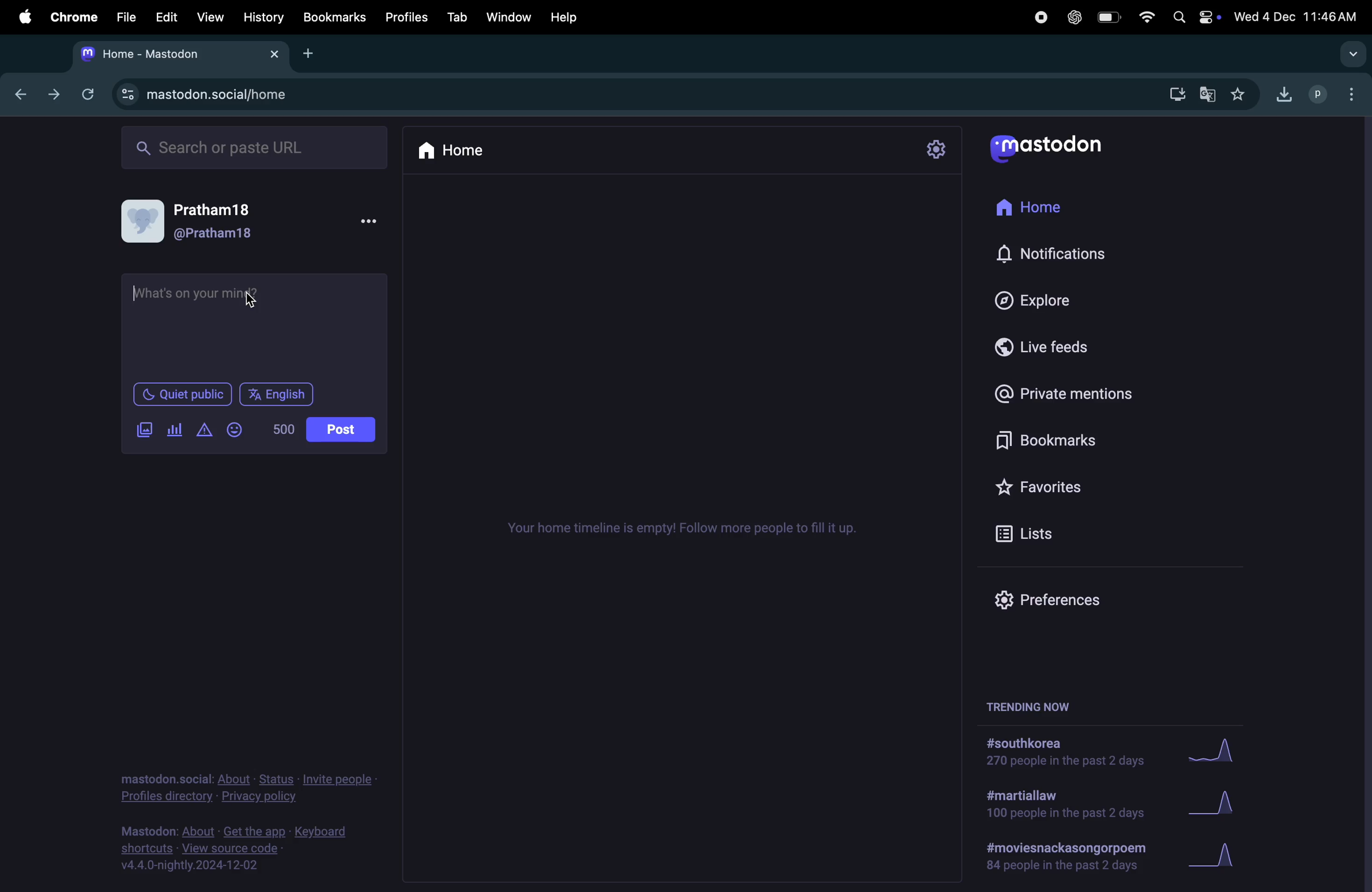 The height and width of the screenshot is (892, 1372). I want to click on Chatgpt, so click(1071, 17).